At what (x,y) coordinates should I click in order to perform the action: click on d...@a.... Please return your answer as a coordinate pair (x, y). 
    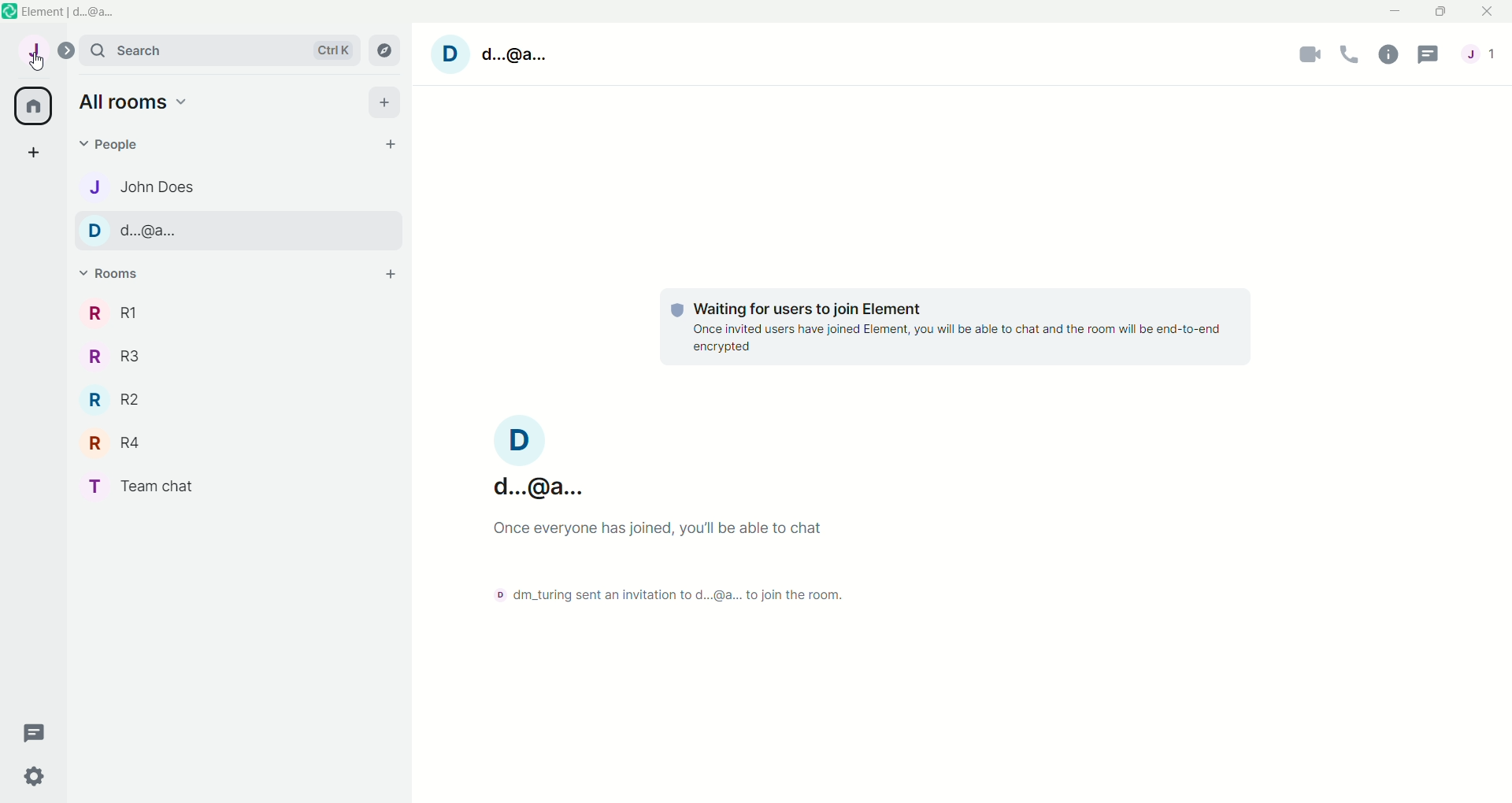
    Looking at the image, I should click on (535, 485).